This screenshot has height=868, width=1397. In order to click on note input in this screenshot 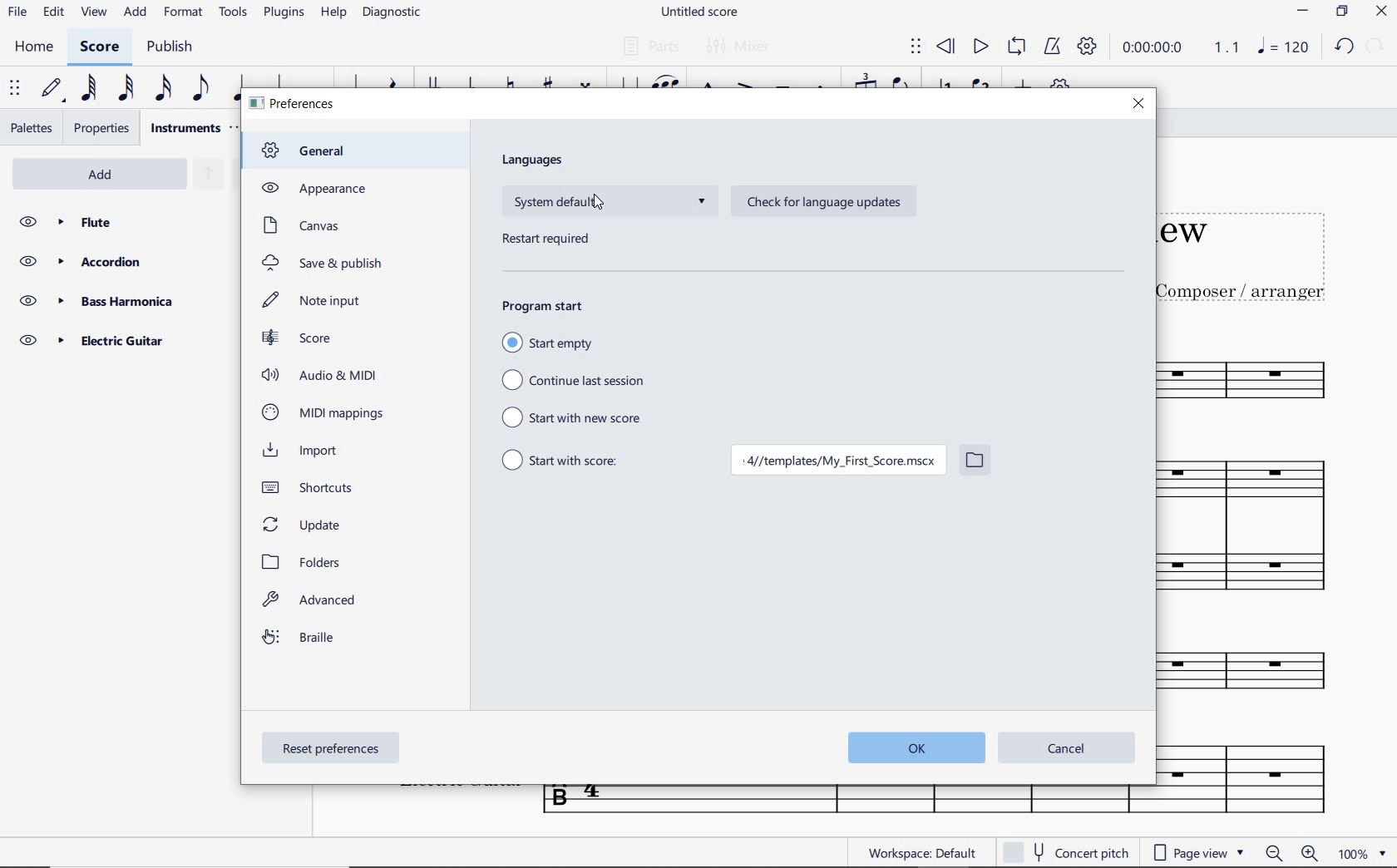, I will do `click(315, 300)`.